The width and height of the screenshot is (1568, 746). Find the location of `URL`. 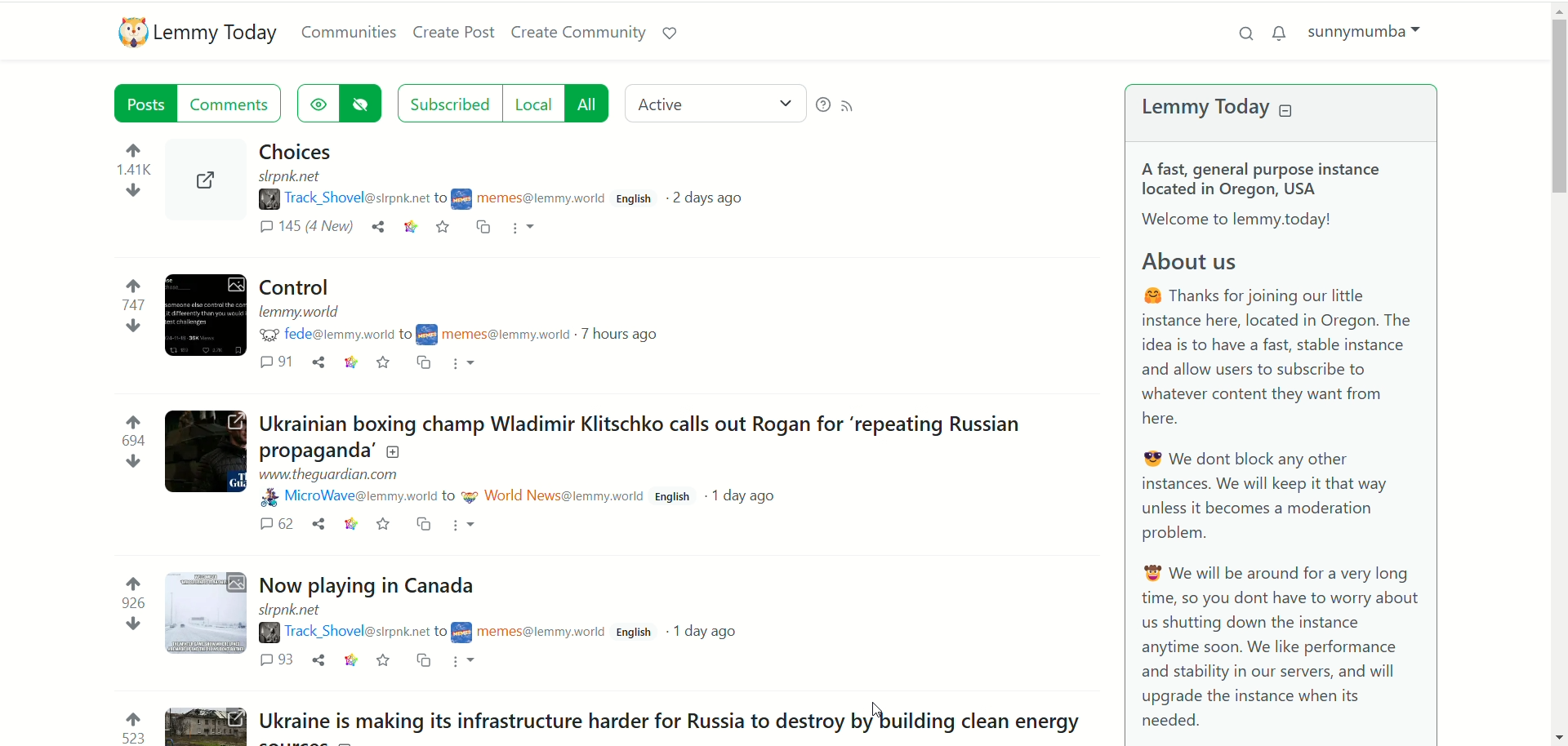

URL is located at coordinates (294, 611).